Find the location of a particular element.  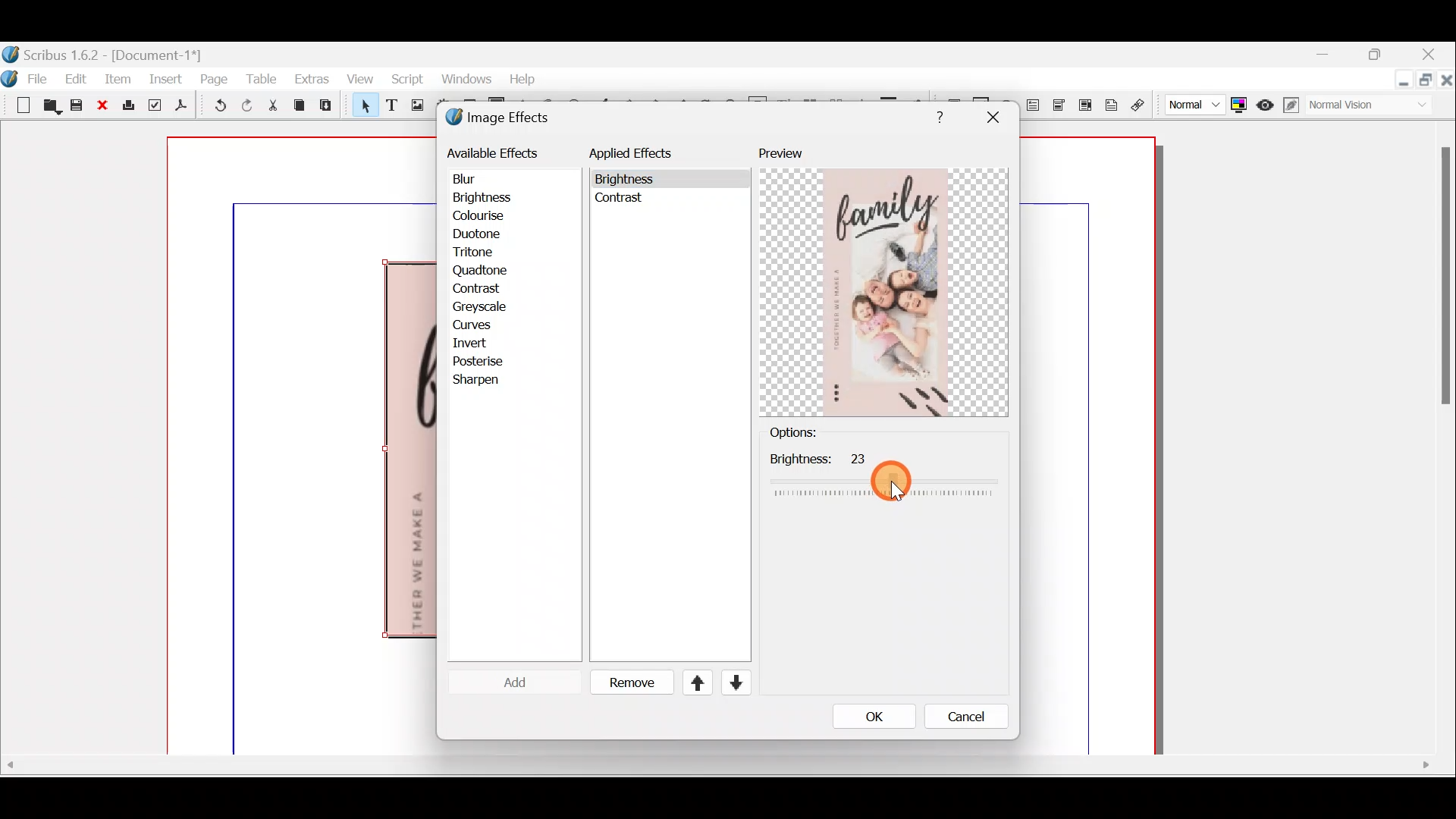

Cancel is located at coordinates (956, 720).